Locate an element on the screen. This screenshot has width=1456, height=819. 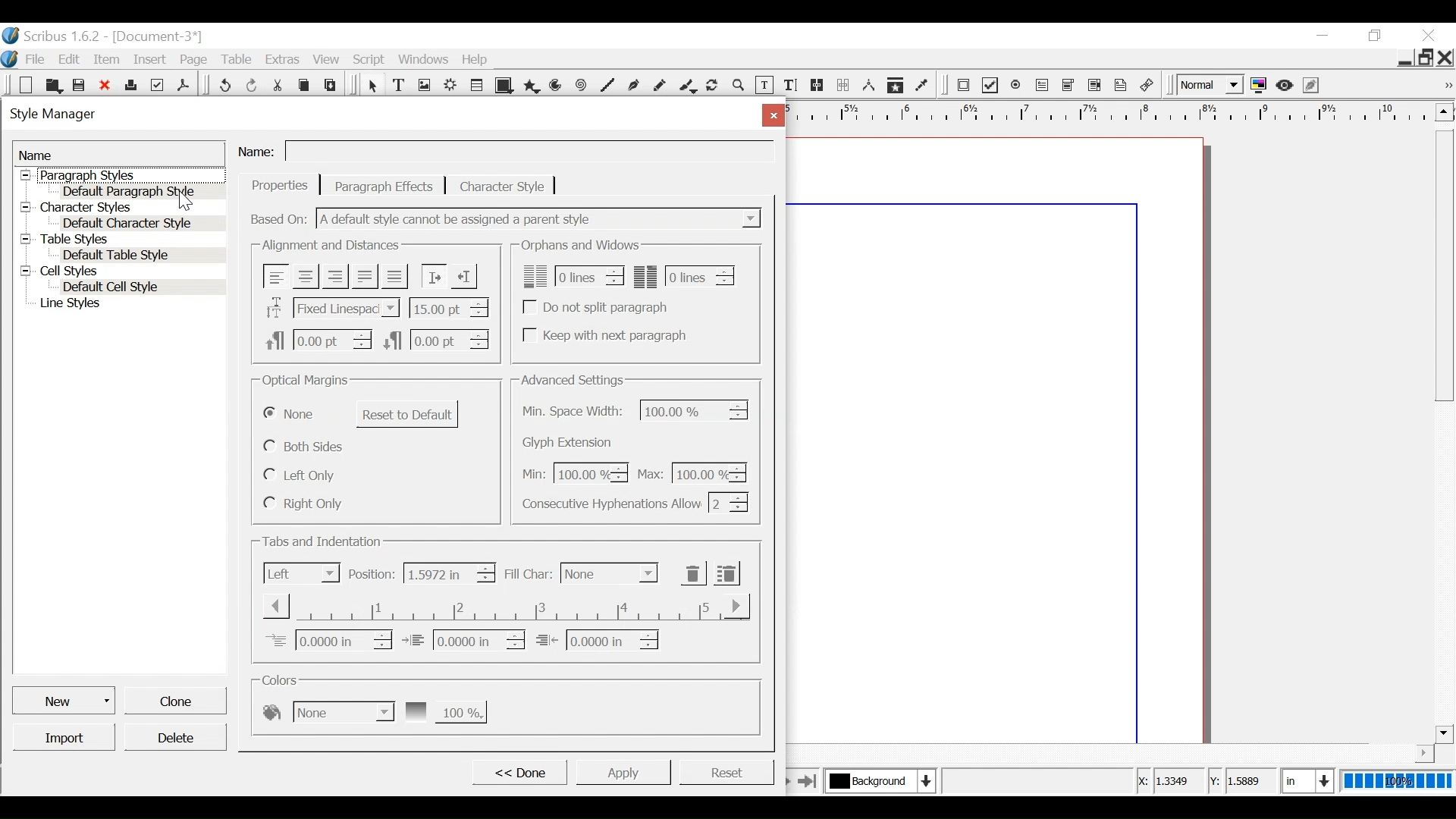
Cursor is located at coordinates (185, 201).